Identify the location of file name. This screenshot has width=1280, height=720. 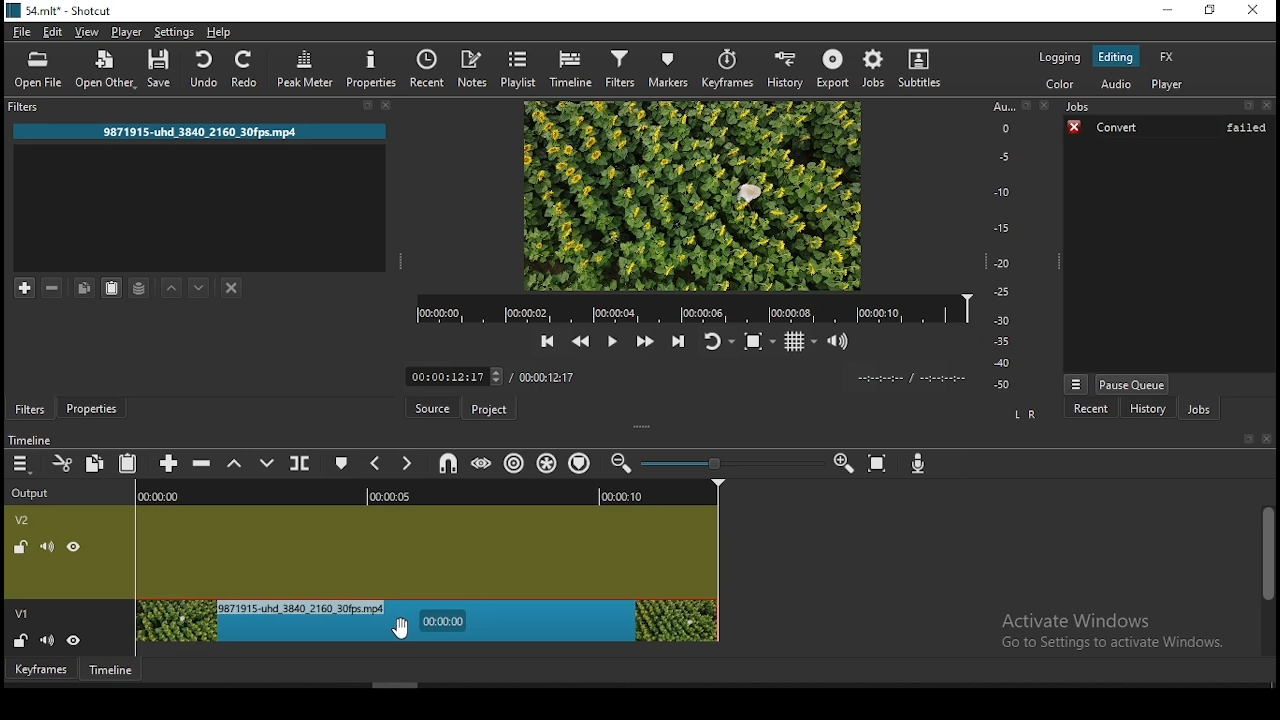
(216, 132).